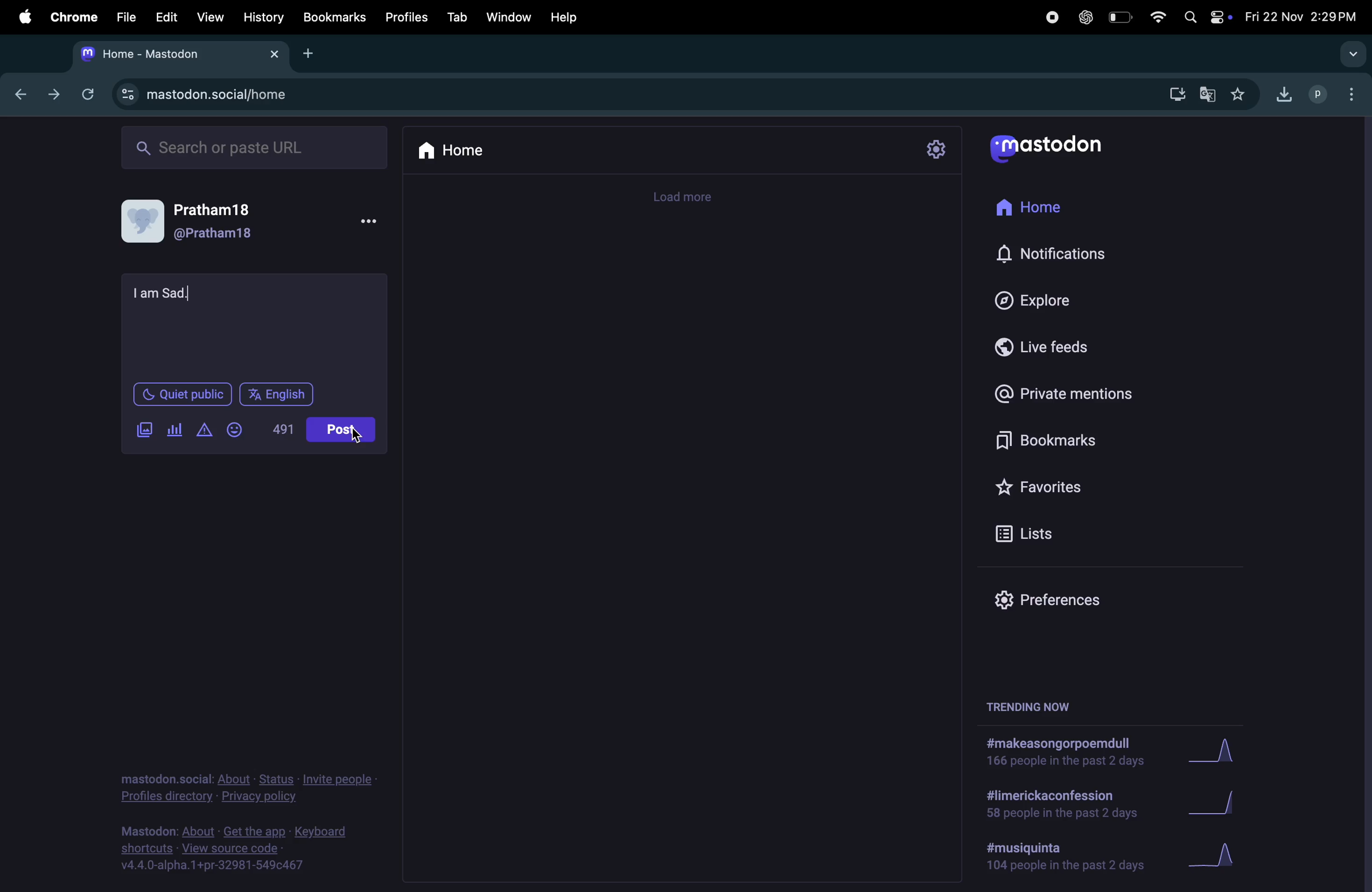  Describe the element at coordinates (1060, 146) in the screenshot. I see `mastodon logo` at that location.